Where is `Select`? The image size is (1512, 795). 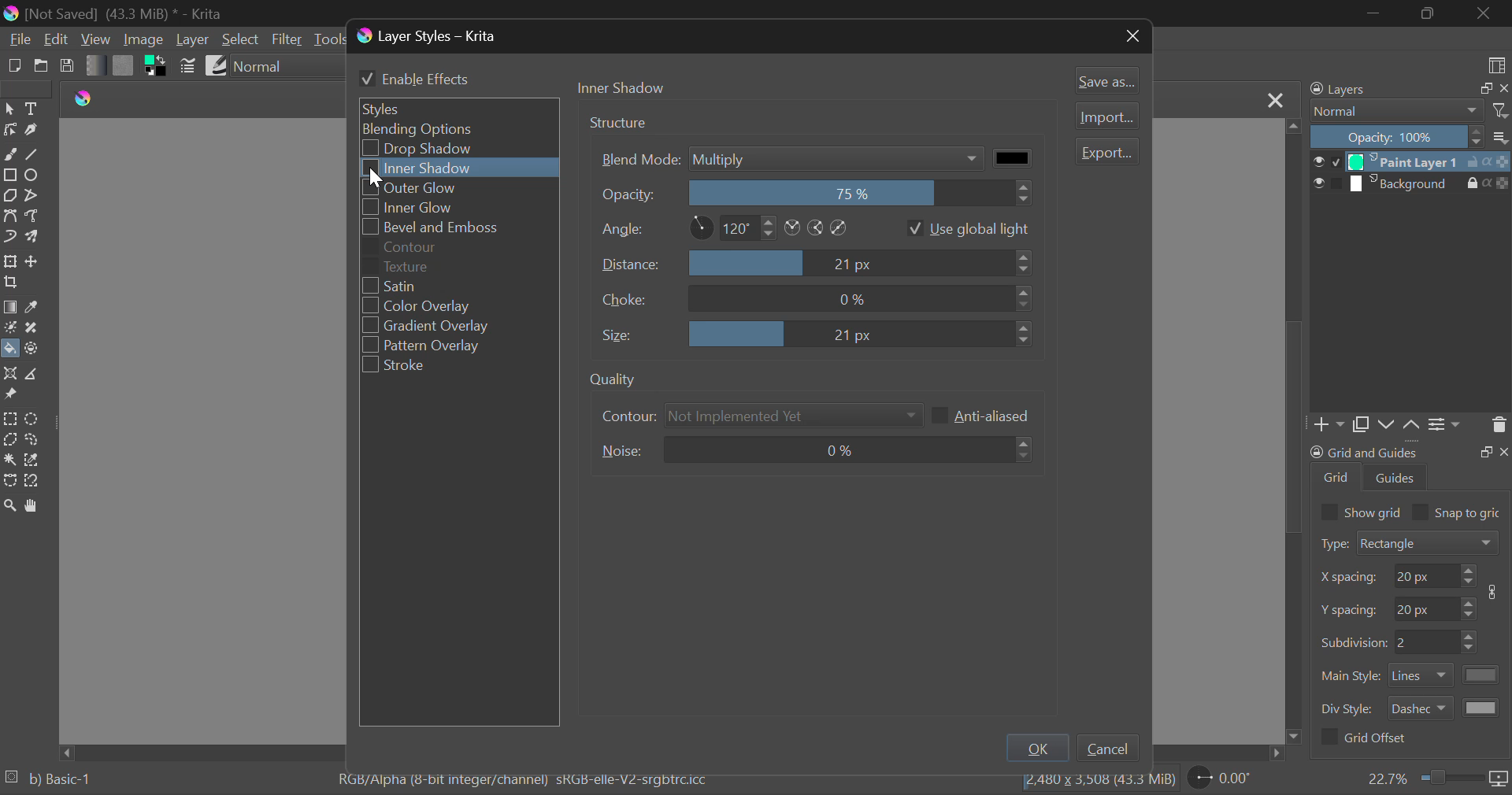 Select is located at coordinates (10, 109).